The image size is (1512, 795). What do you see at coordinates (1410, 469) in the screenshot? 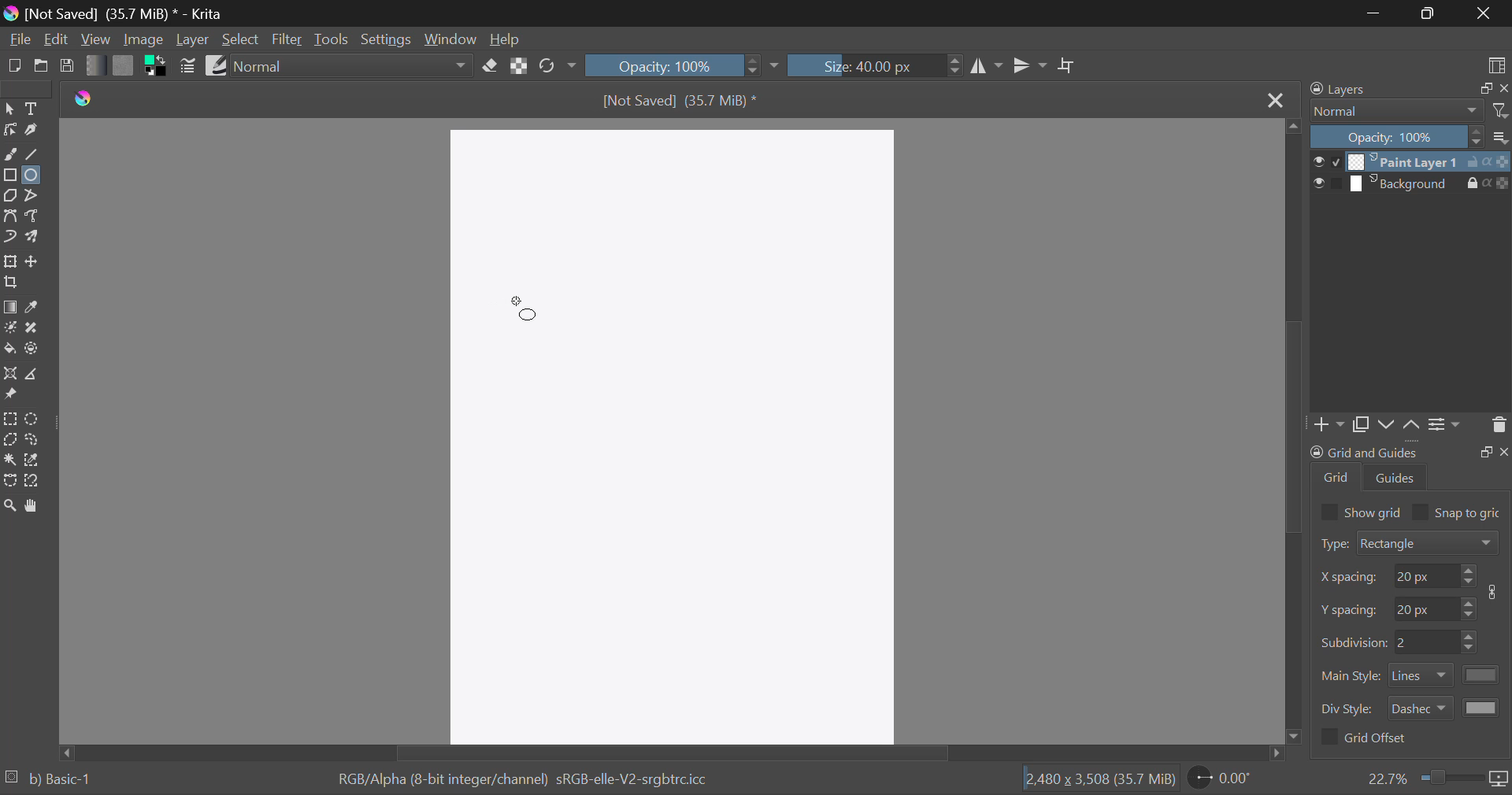
I see `Grid and Guides Docker Tab` at bounding box center [1410, 469].